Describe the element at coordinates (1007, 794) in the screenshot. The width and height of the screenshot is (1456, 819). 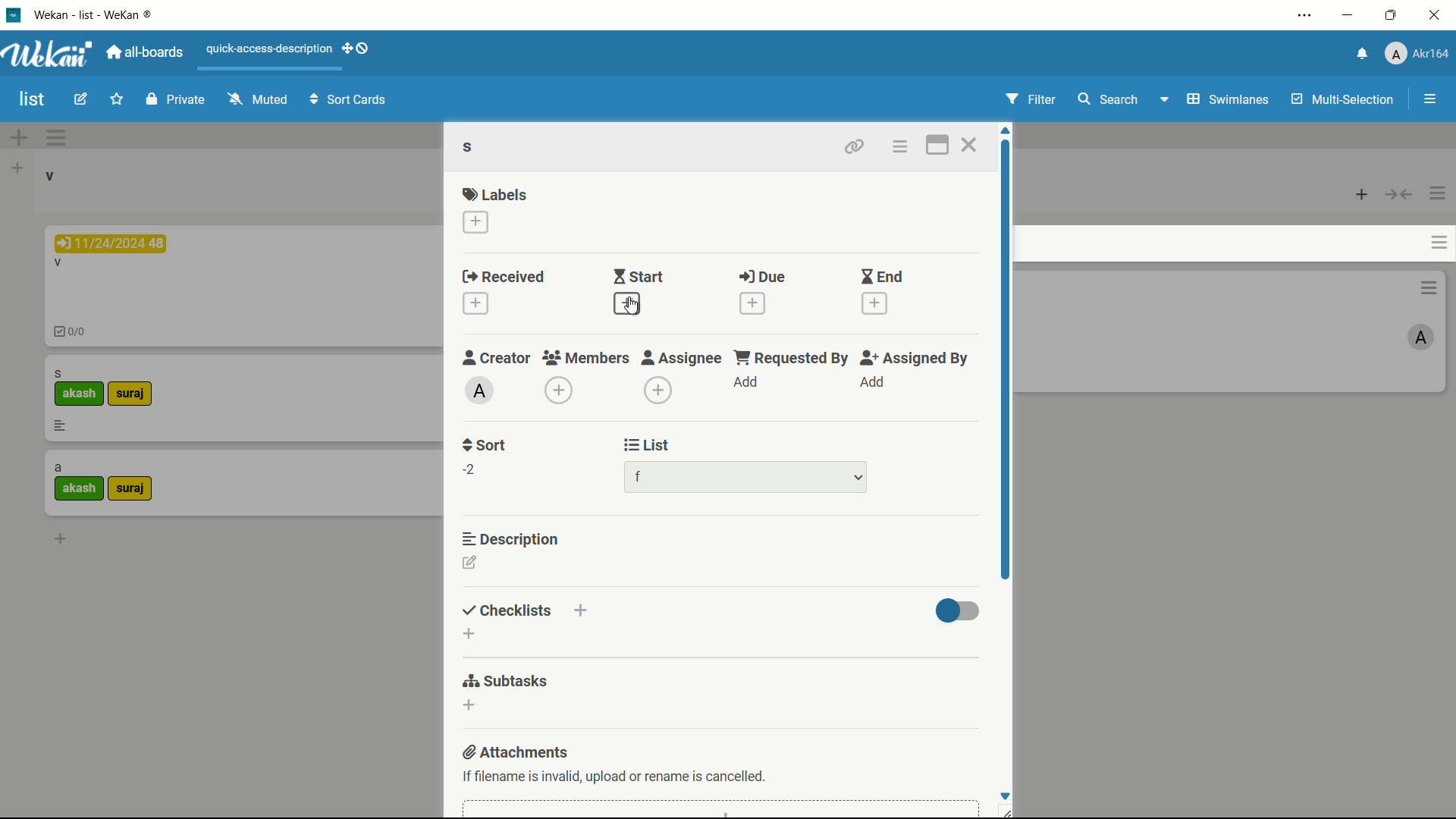
I see `Scroll down` at that location.